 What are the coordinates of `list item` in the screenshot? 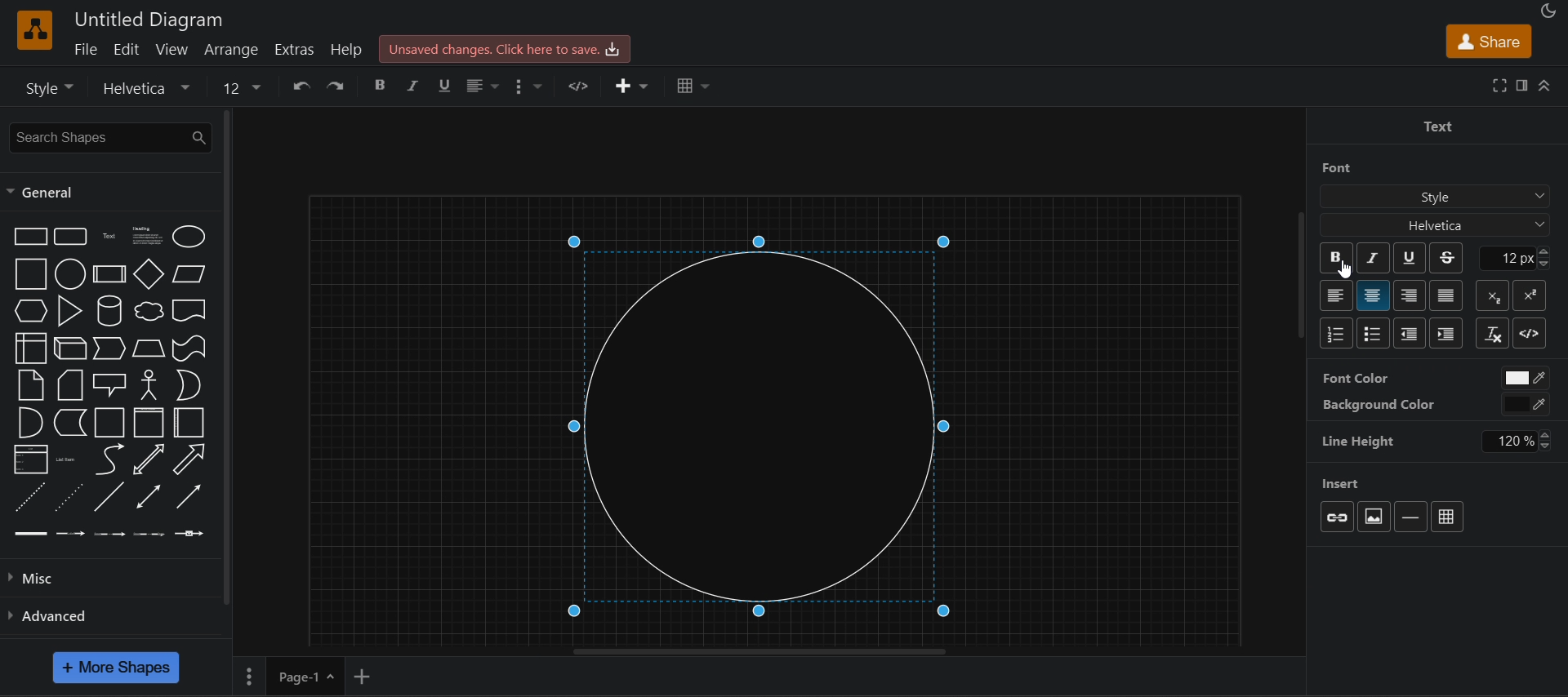 It's located at (69, 460).